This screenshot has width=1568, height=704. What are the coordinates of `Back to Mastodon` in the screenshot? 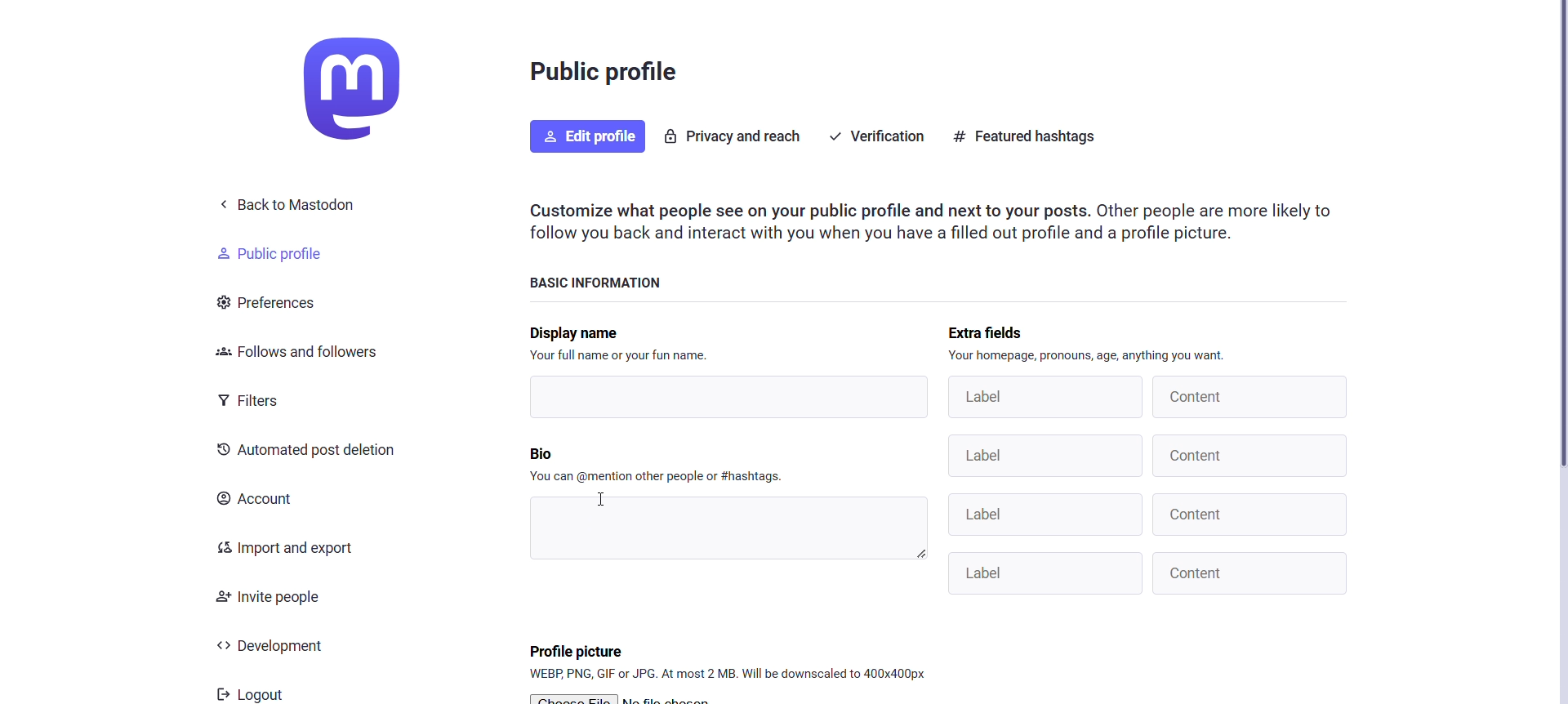 It's located at (292, 205).